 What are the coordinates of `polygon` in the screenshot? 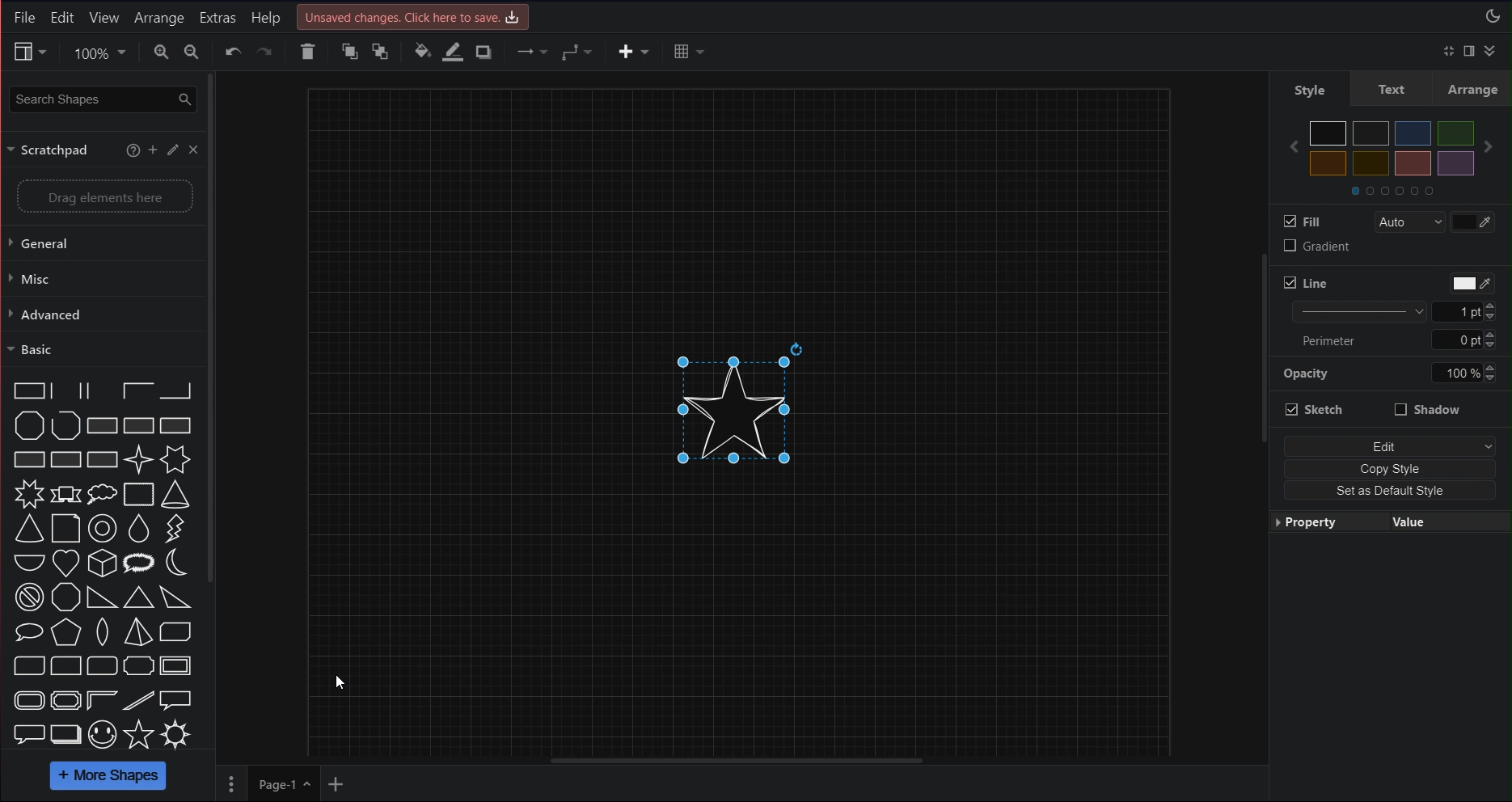 It's located at (30, 425).